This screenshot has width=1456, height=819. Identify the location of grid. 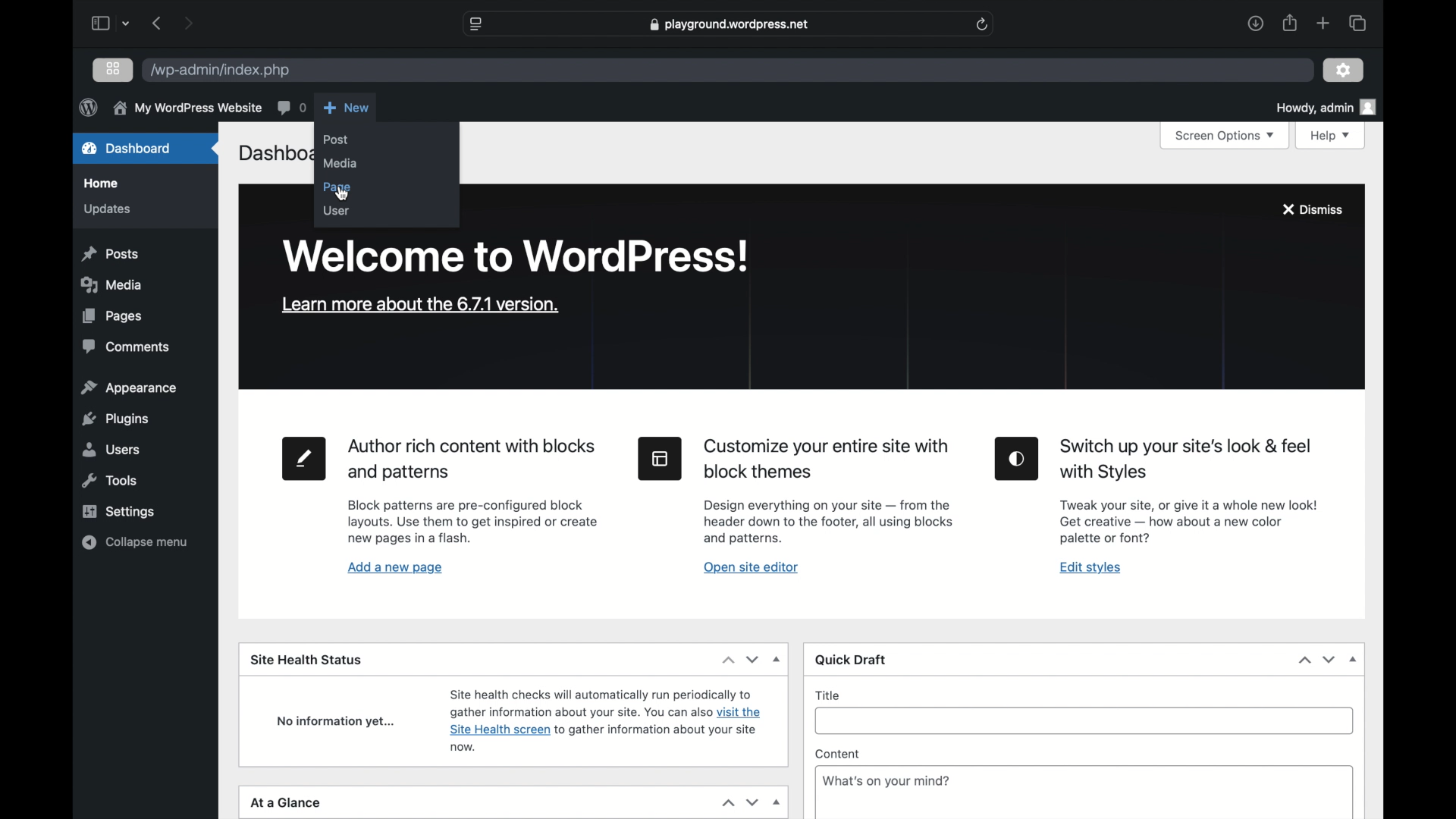
(113, 68).